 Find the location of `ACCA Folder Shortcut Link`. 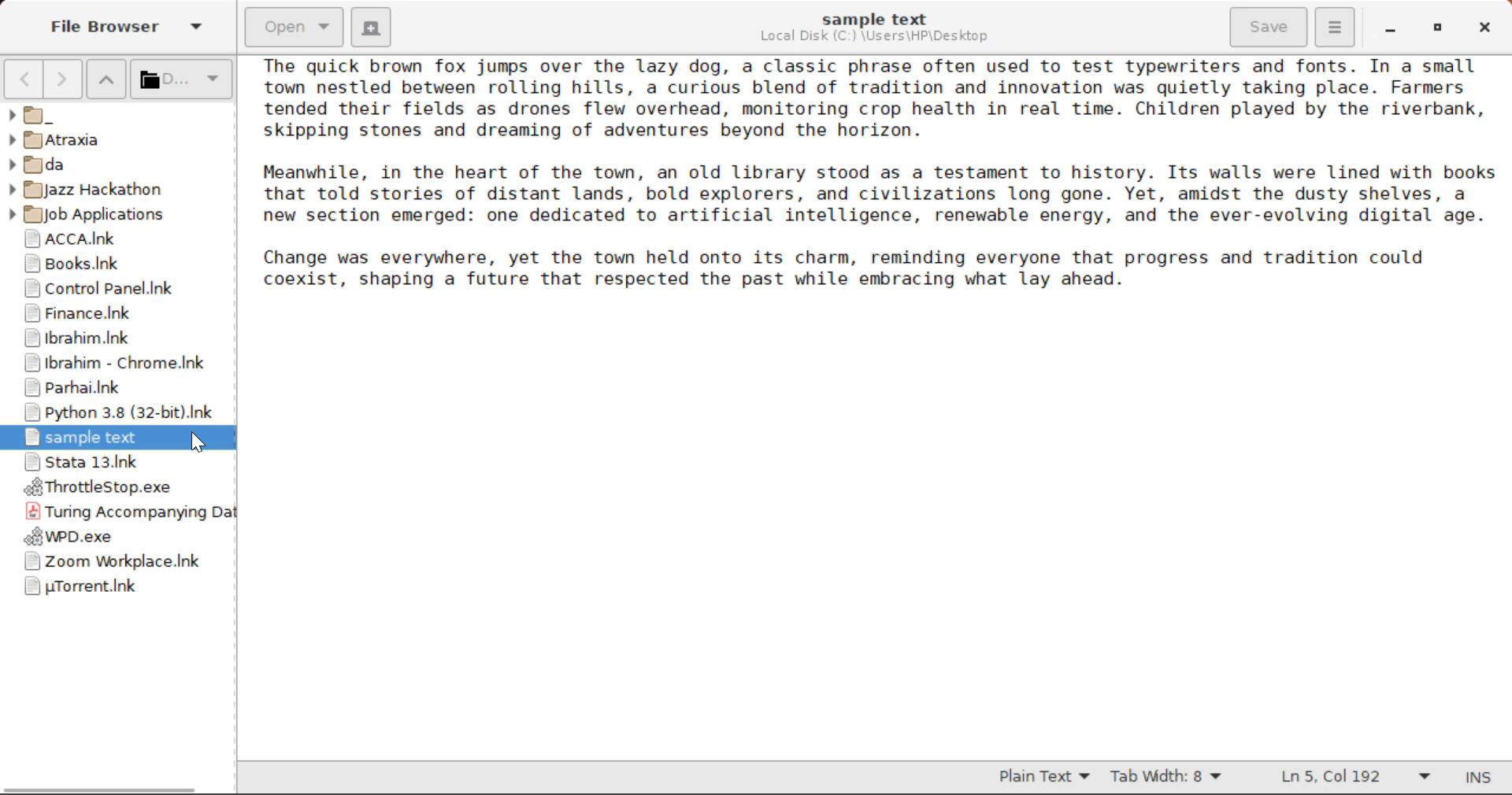

ACCA Folder Shortcut Link is located at coordinates (119, 239).